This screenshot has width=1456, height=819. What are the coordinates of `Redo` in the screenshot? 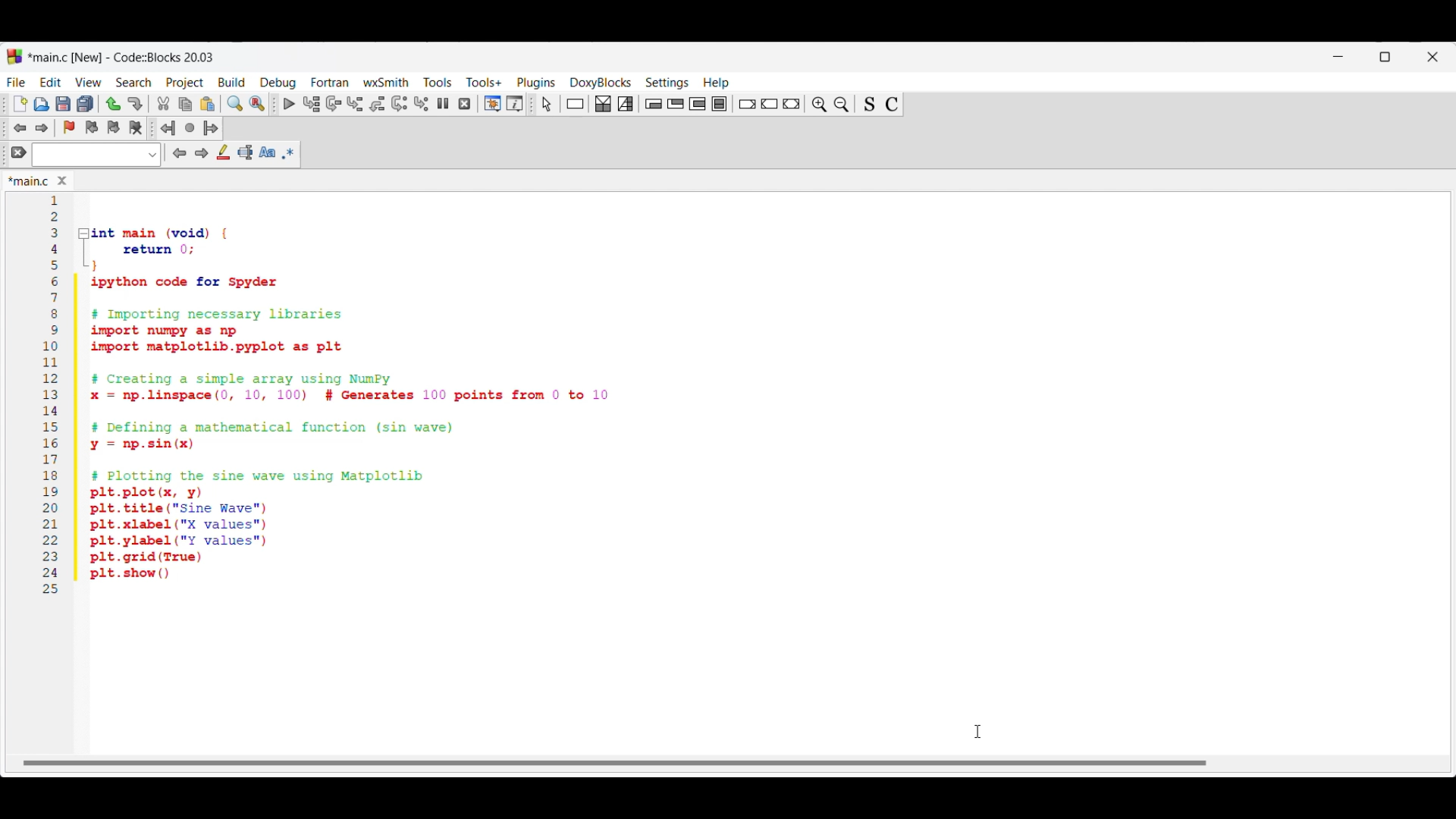 It's located at (135, 104).